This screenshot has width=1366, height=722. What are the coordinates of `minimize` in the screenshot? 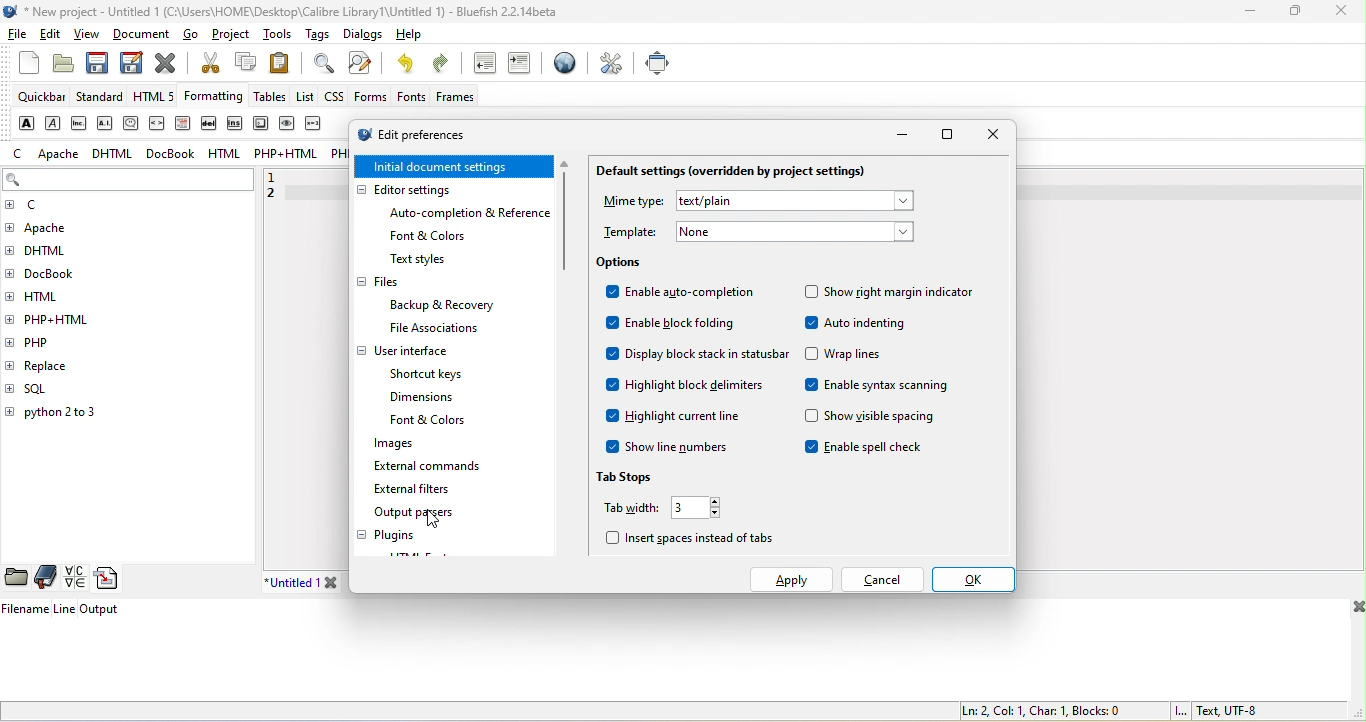 It's located at (1247, 12).